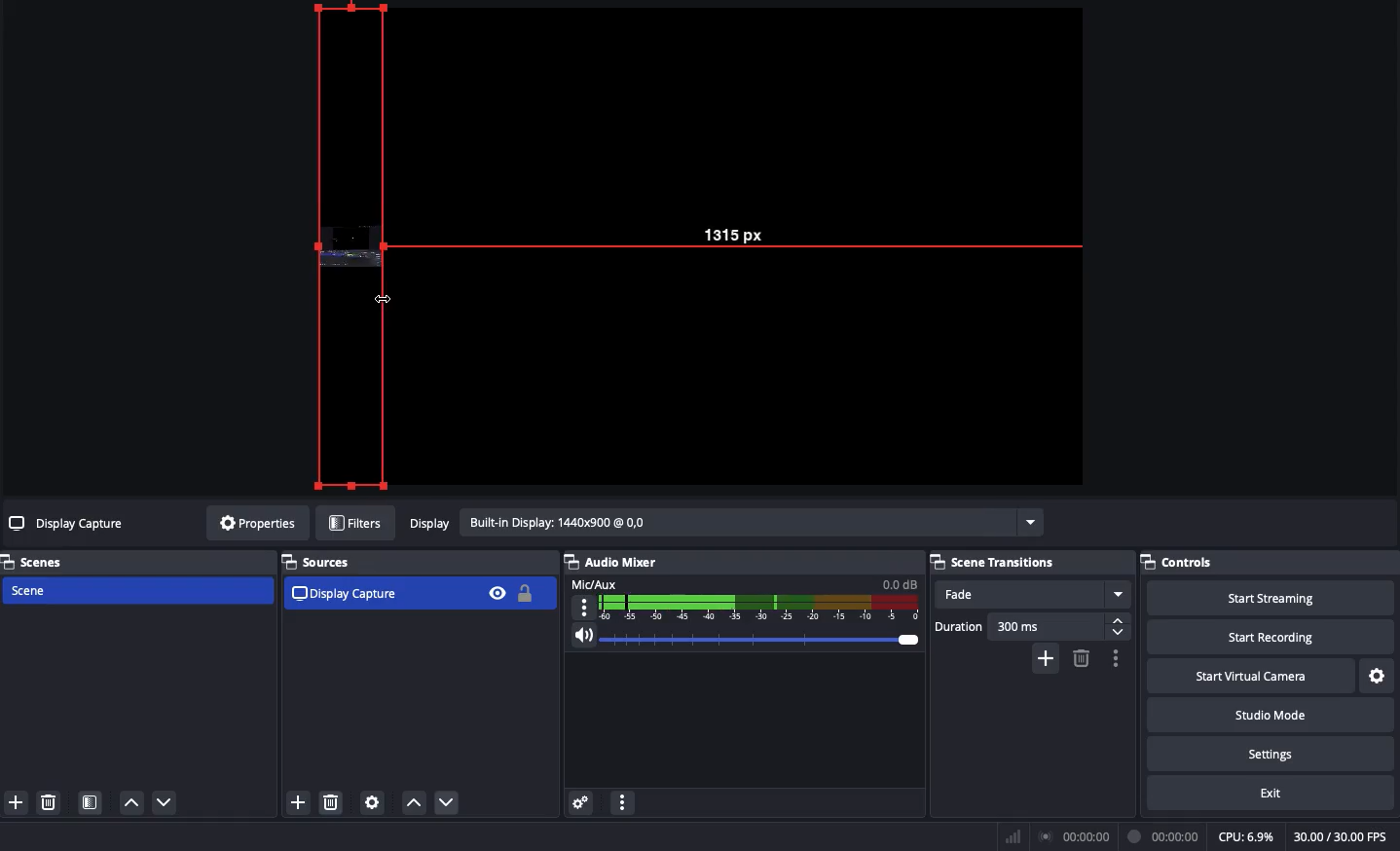 This screenshot has width=1400, height=851. What do you see at coordinates (736, 559) in the screenshot?
I see `Audio/mixer` at bounding box center [736, 559].